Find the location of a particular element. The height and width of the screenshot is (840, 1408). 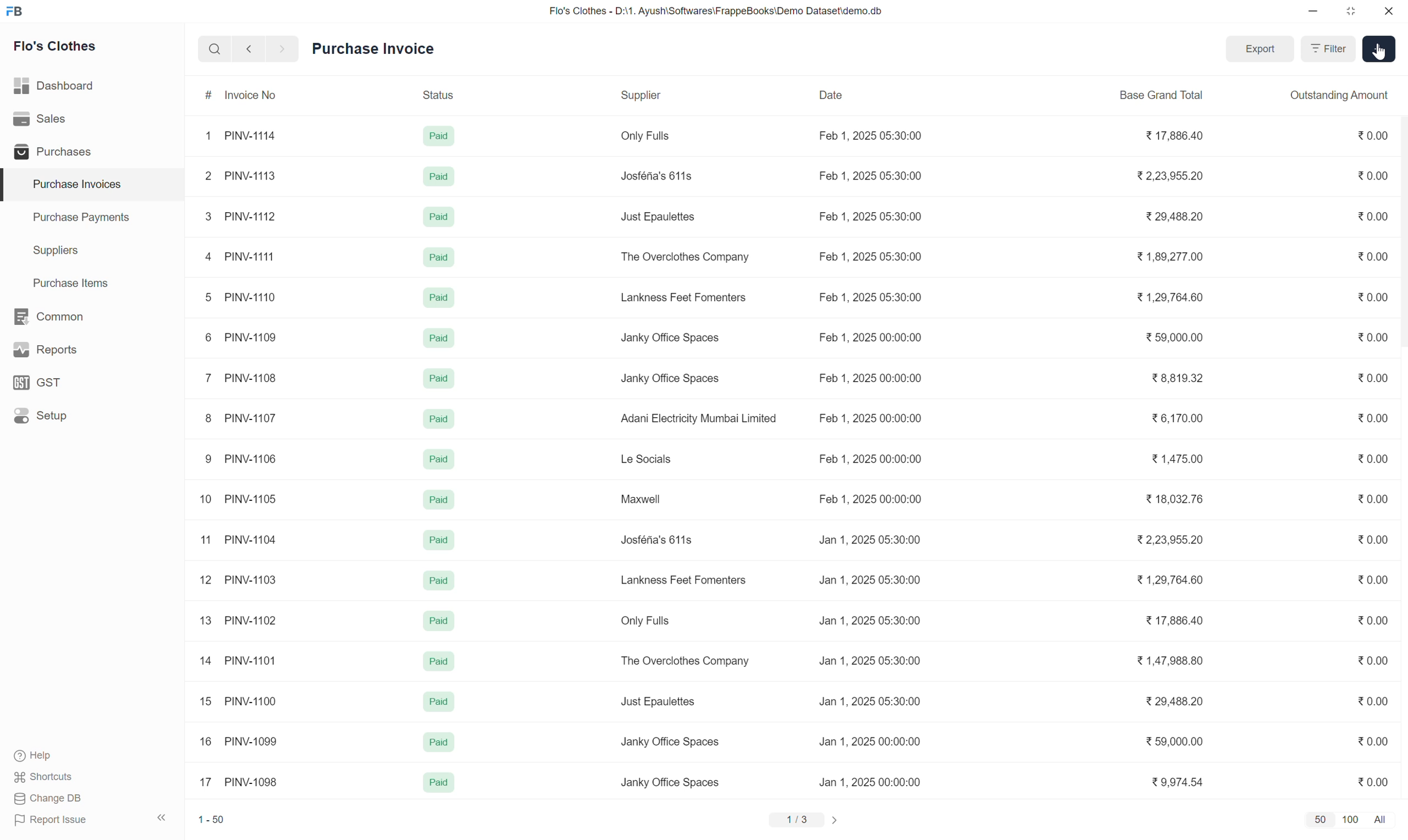

Help is located at coordinates (36, 756).